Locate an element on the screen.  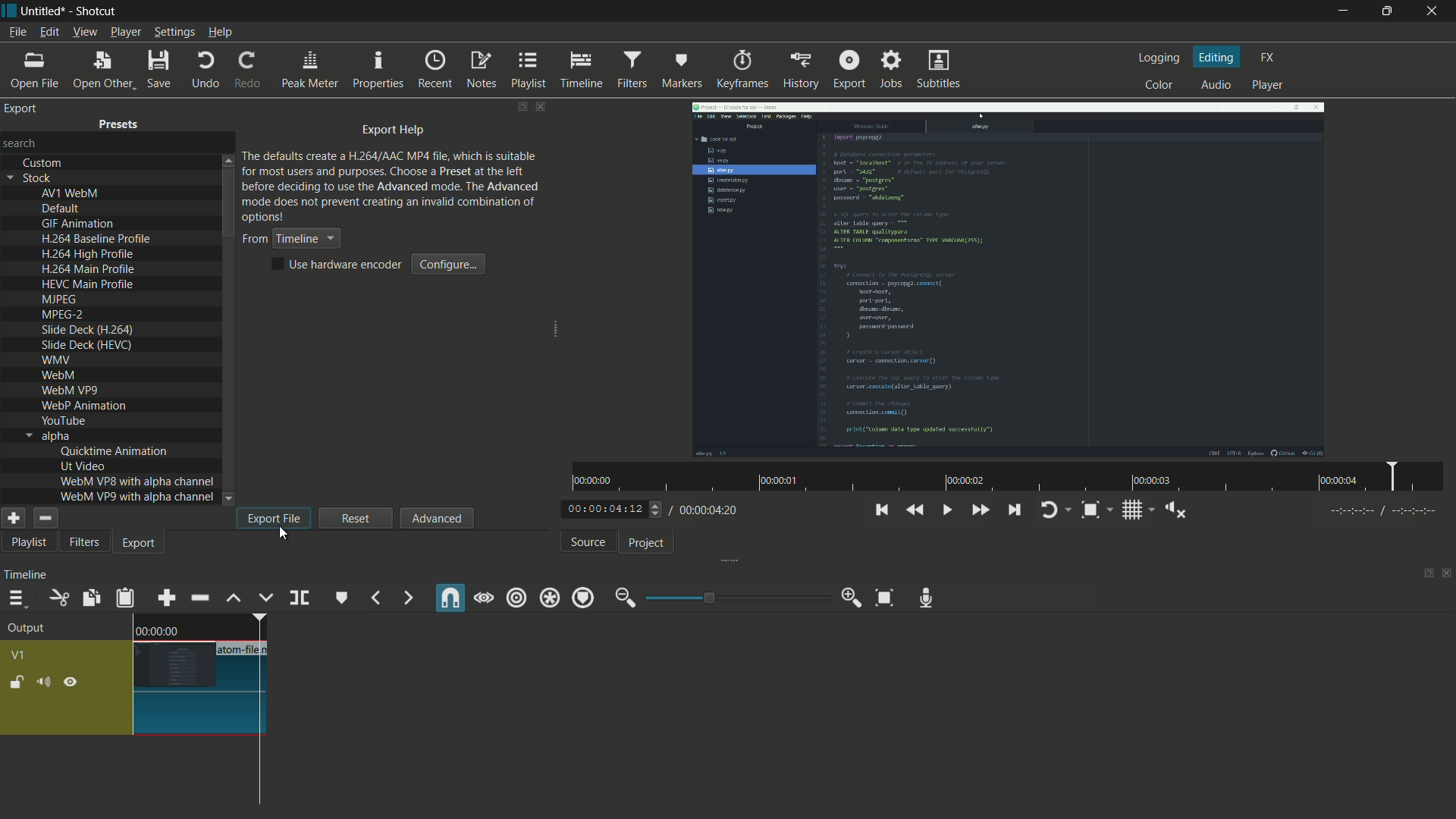
av1 webm is located at coordinates (70, 193).